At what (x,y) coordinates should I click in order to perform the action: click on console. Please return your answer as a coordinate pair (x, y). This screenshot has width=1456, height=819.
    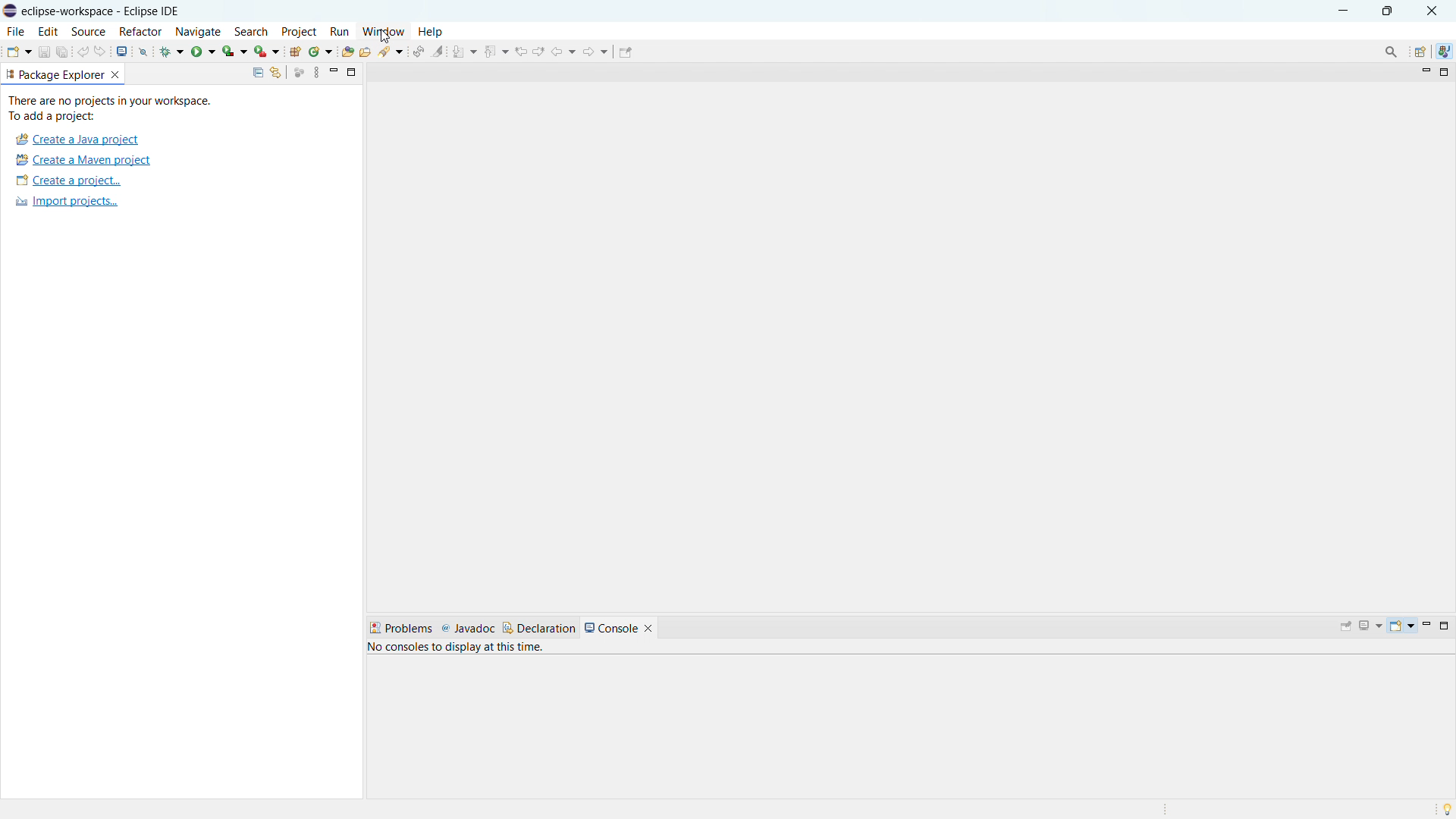
    Looking at the image, I should click on (610, 627).